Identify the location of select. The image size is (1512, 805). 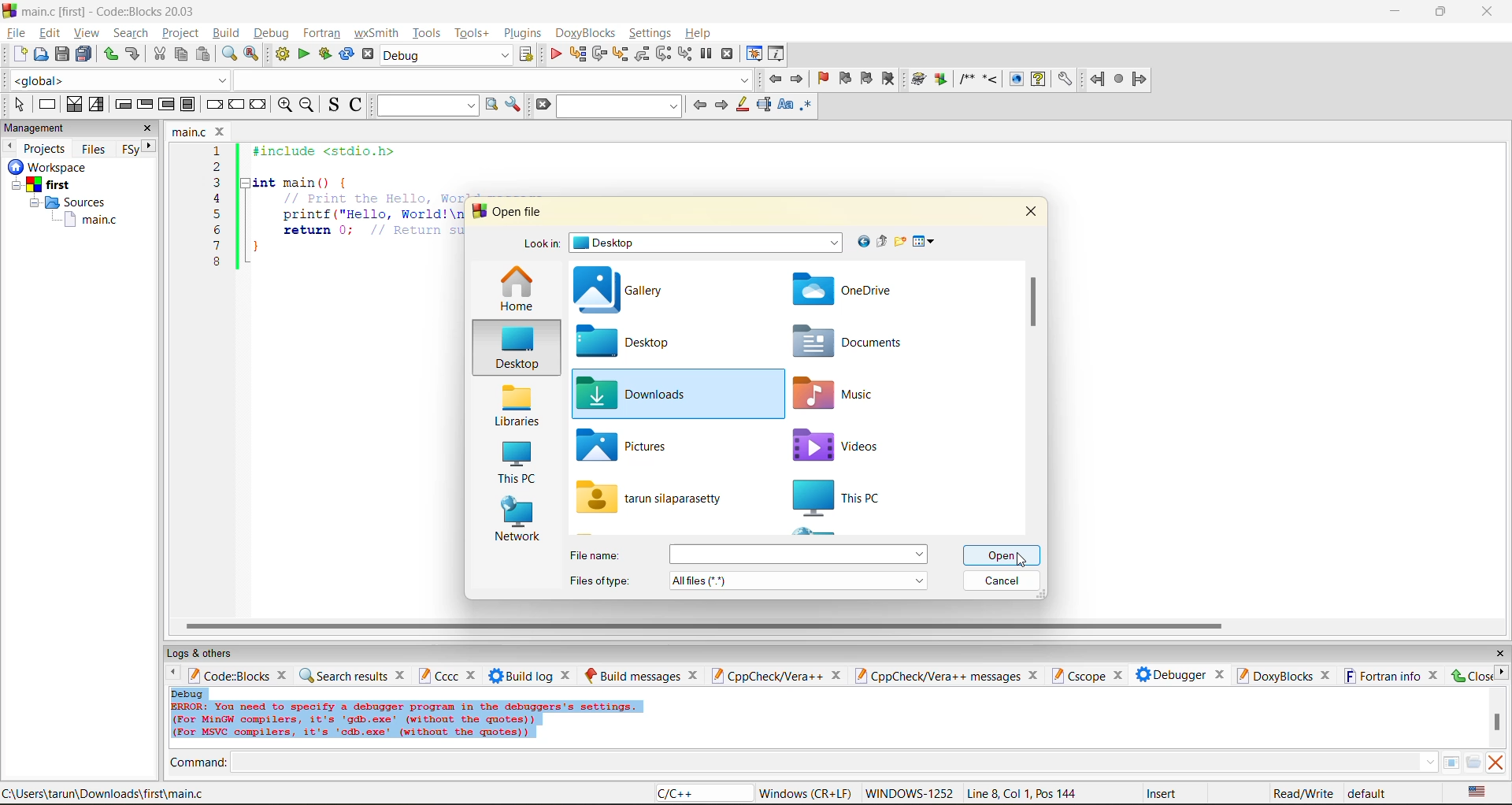
(19, 104).